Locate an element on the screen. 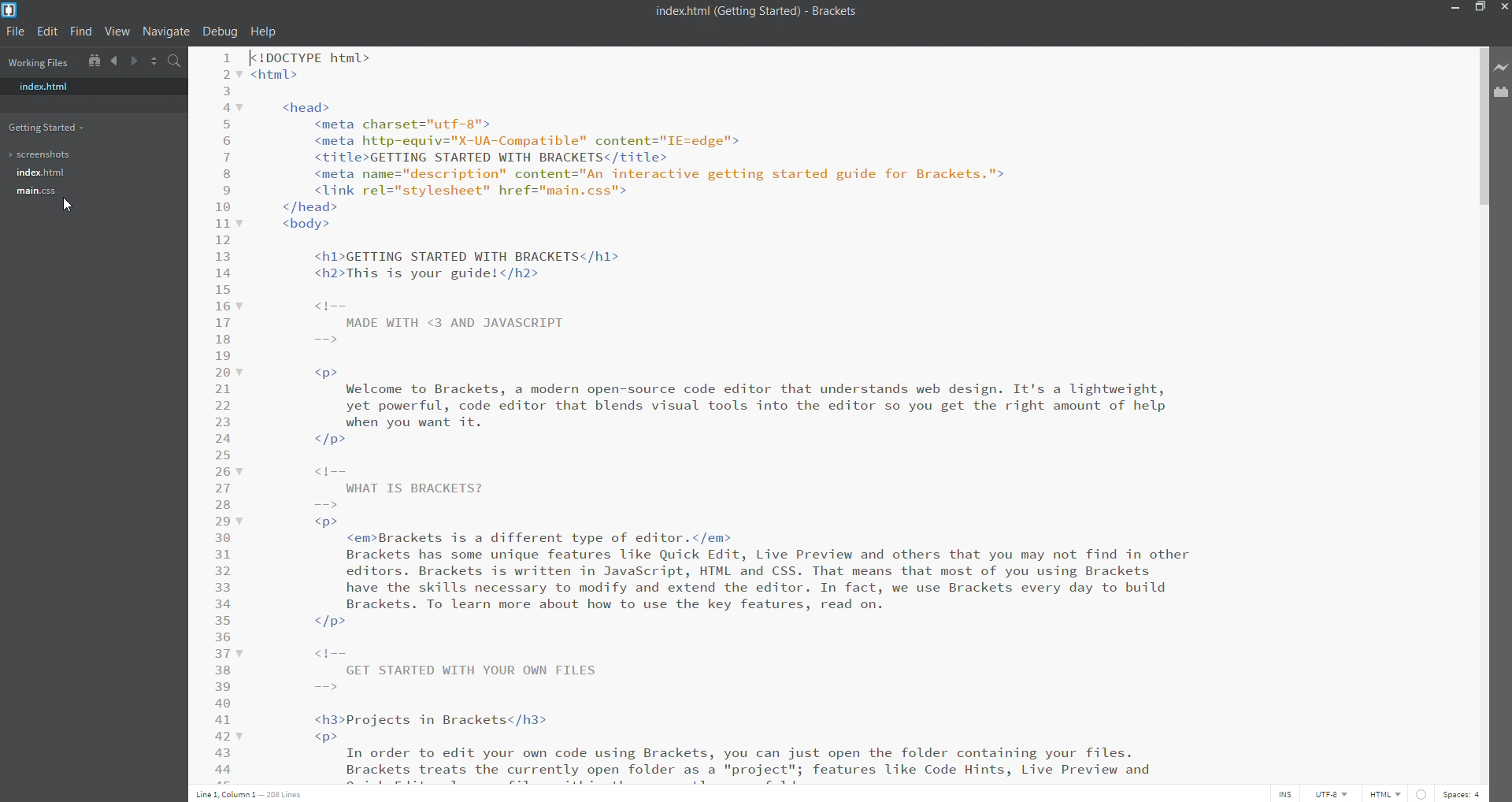  Line 1, Column 1- 208 Lines is located at coordinates (249, 793).